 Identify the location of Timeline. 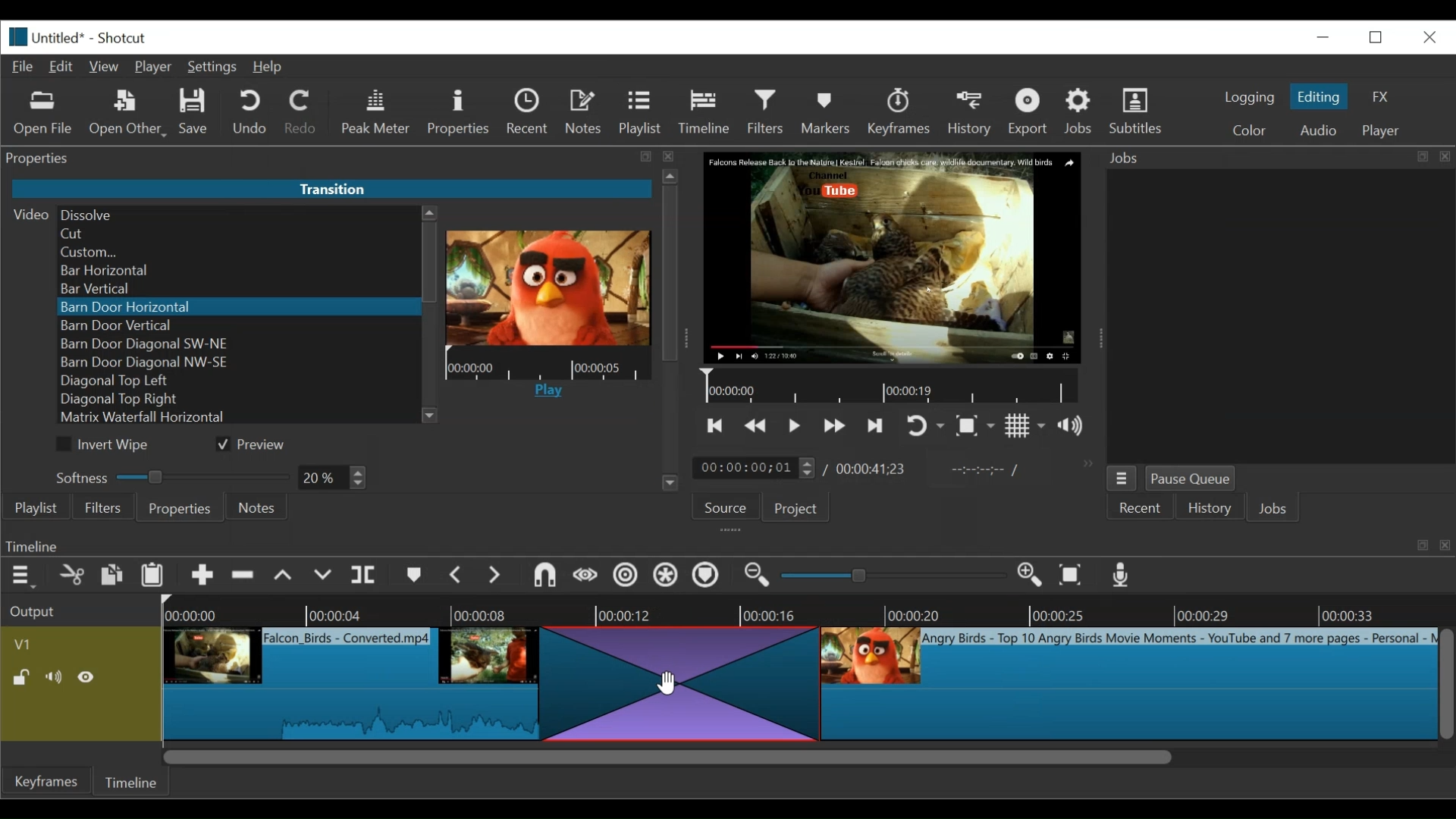
(893, 386).